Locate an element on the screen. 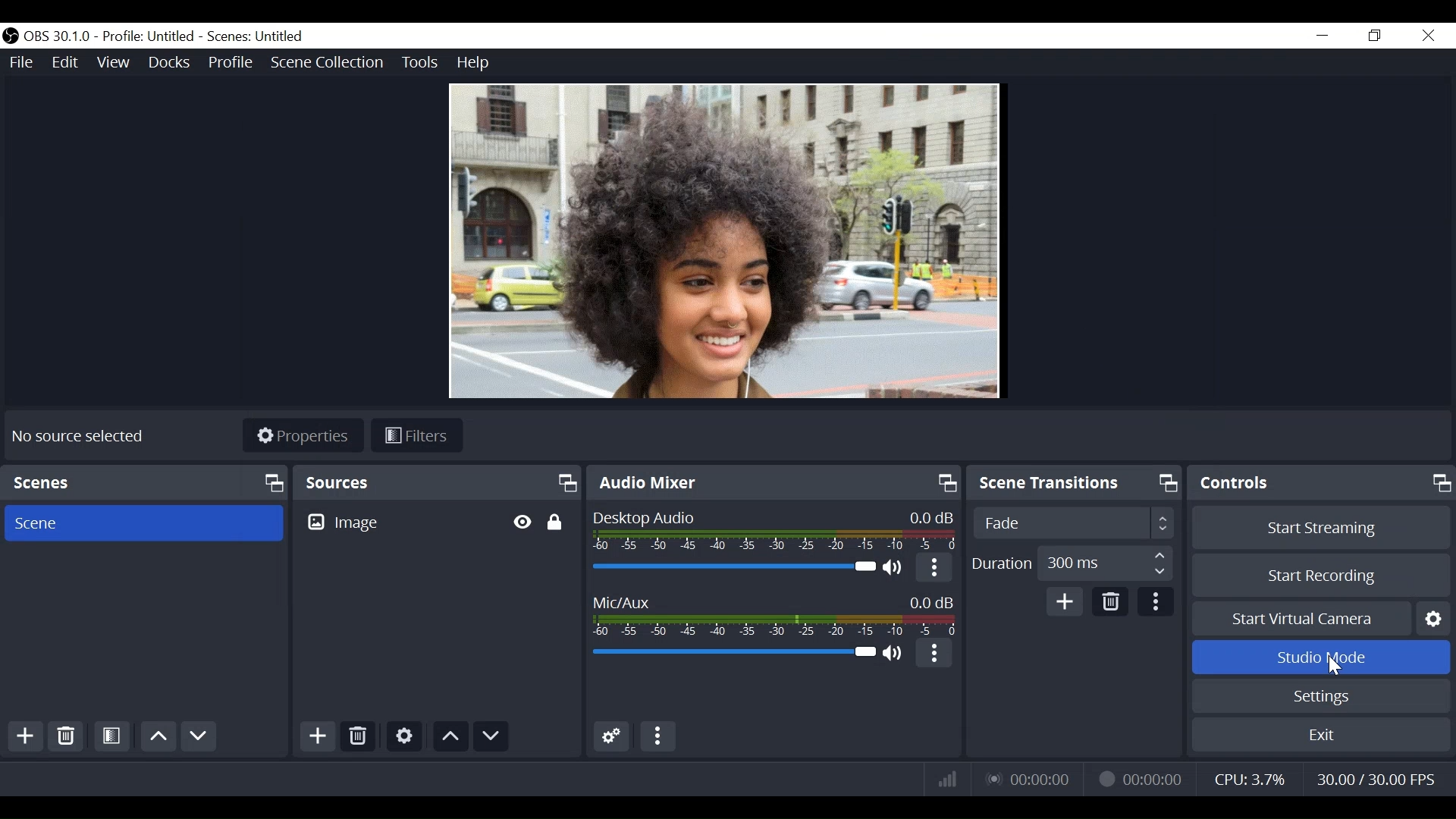  OBS Version is located at coordinates (57, 36).